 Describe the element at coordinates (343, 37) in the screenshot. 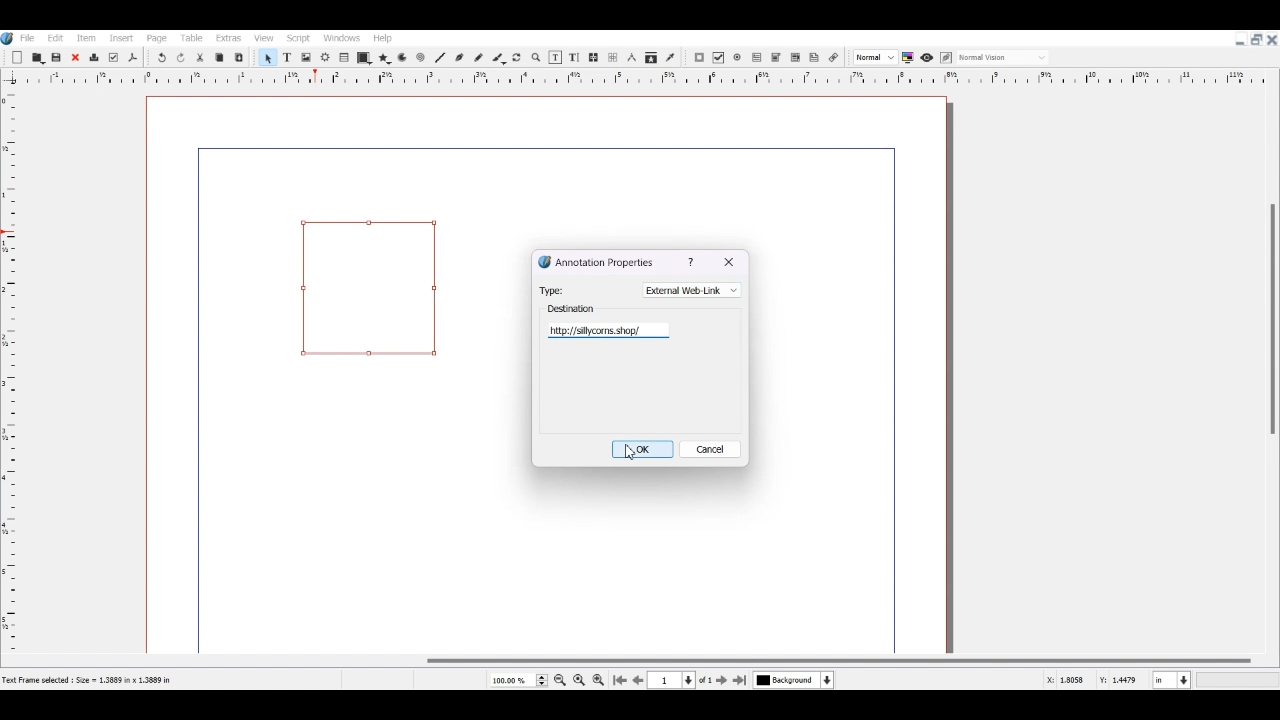

I see `Windows` at that location.